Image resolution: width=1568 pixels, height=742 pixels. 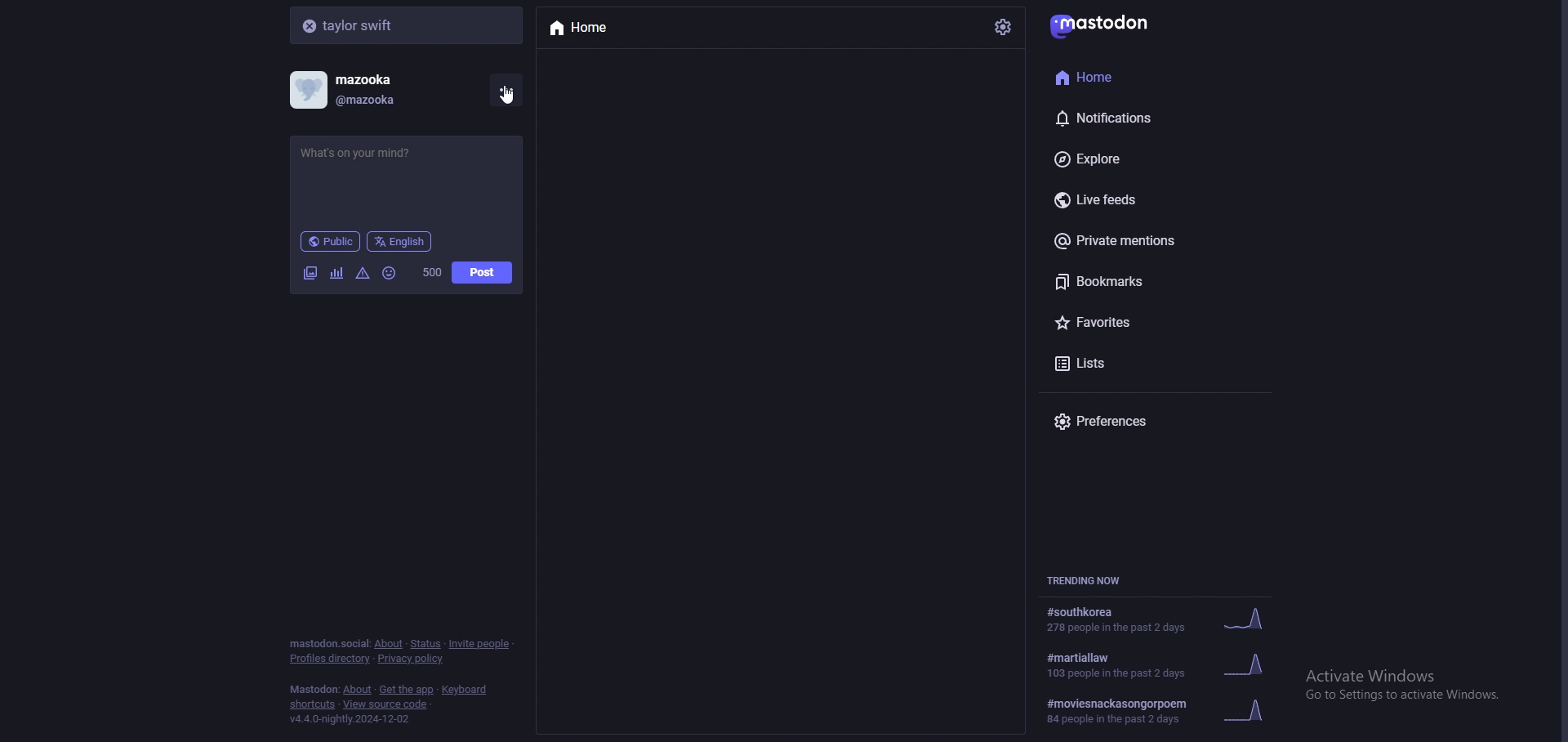 I want to click on language, so click(x=402, y=241).